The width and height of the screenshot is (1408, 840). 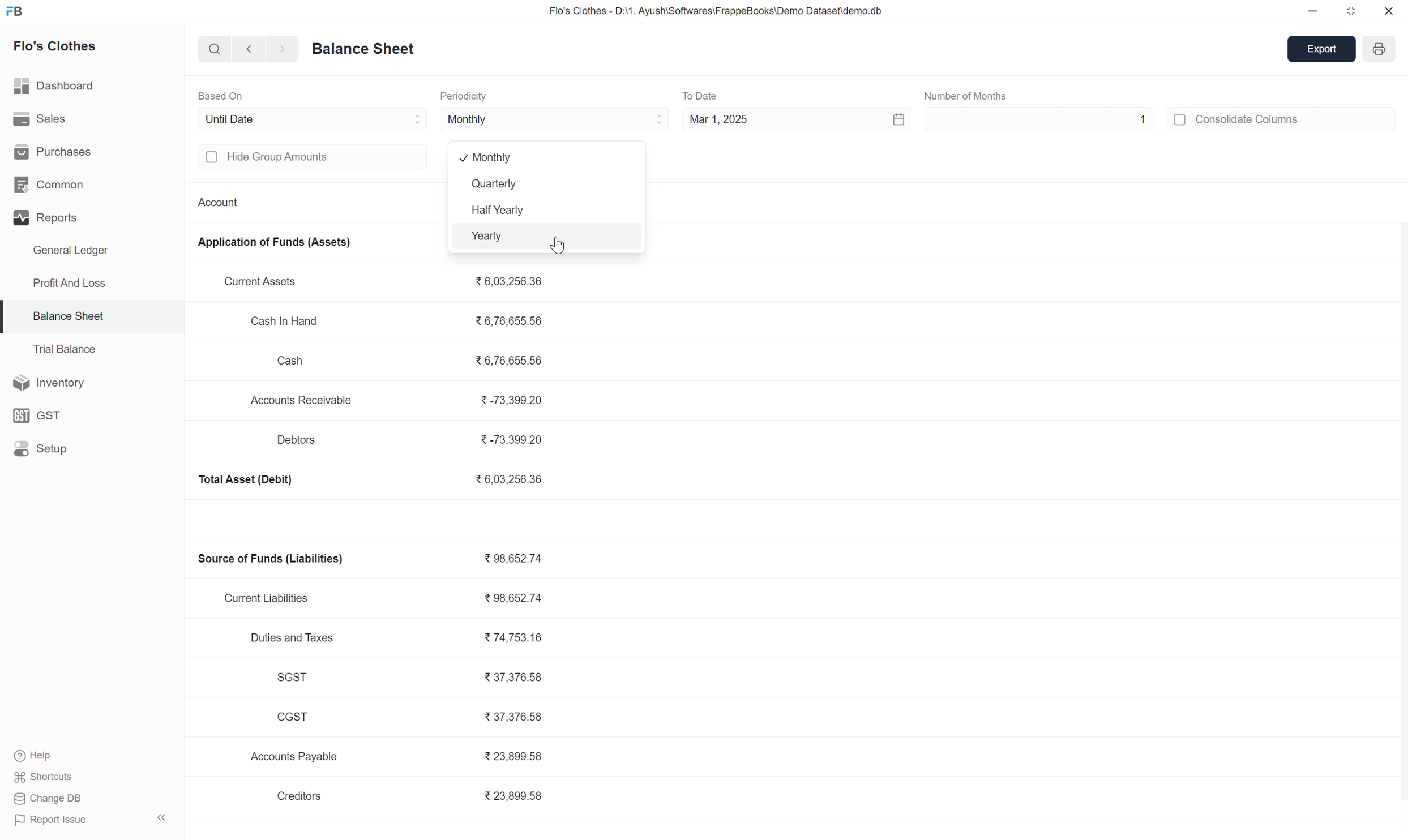 I want to click on yearly, so click(x=490, y=237).